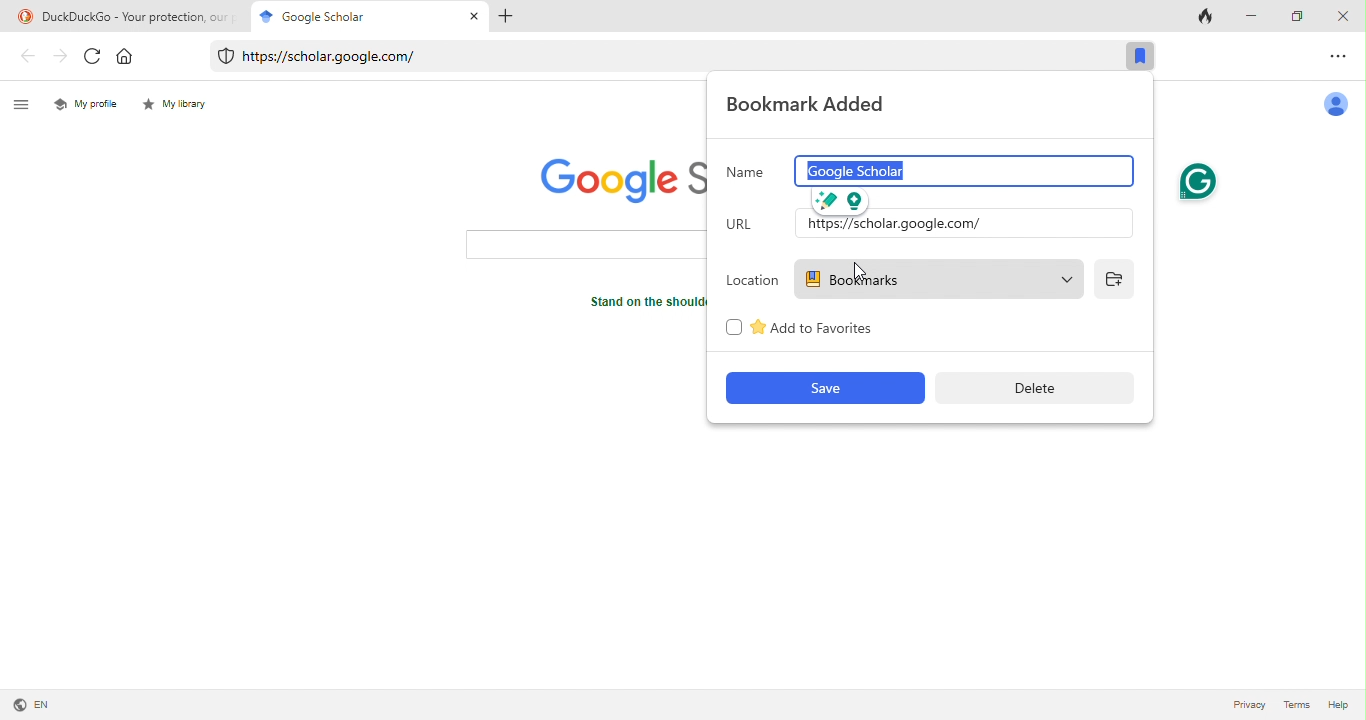  I want to click on text, so click(639, 306).